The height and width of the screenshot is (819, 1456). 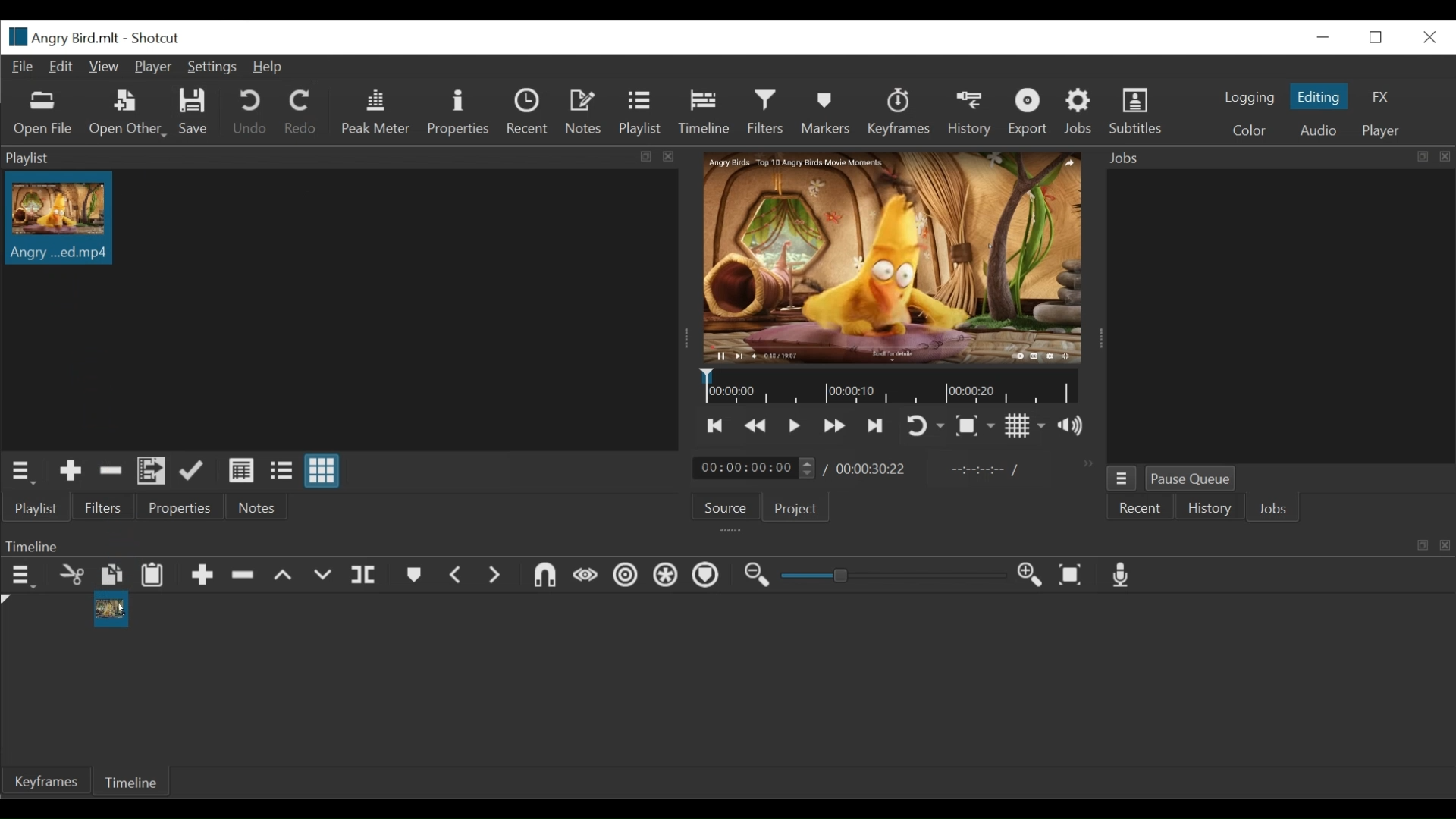 I want to click on zoom timeline in, so click(x=1030, y=575).